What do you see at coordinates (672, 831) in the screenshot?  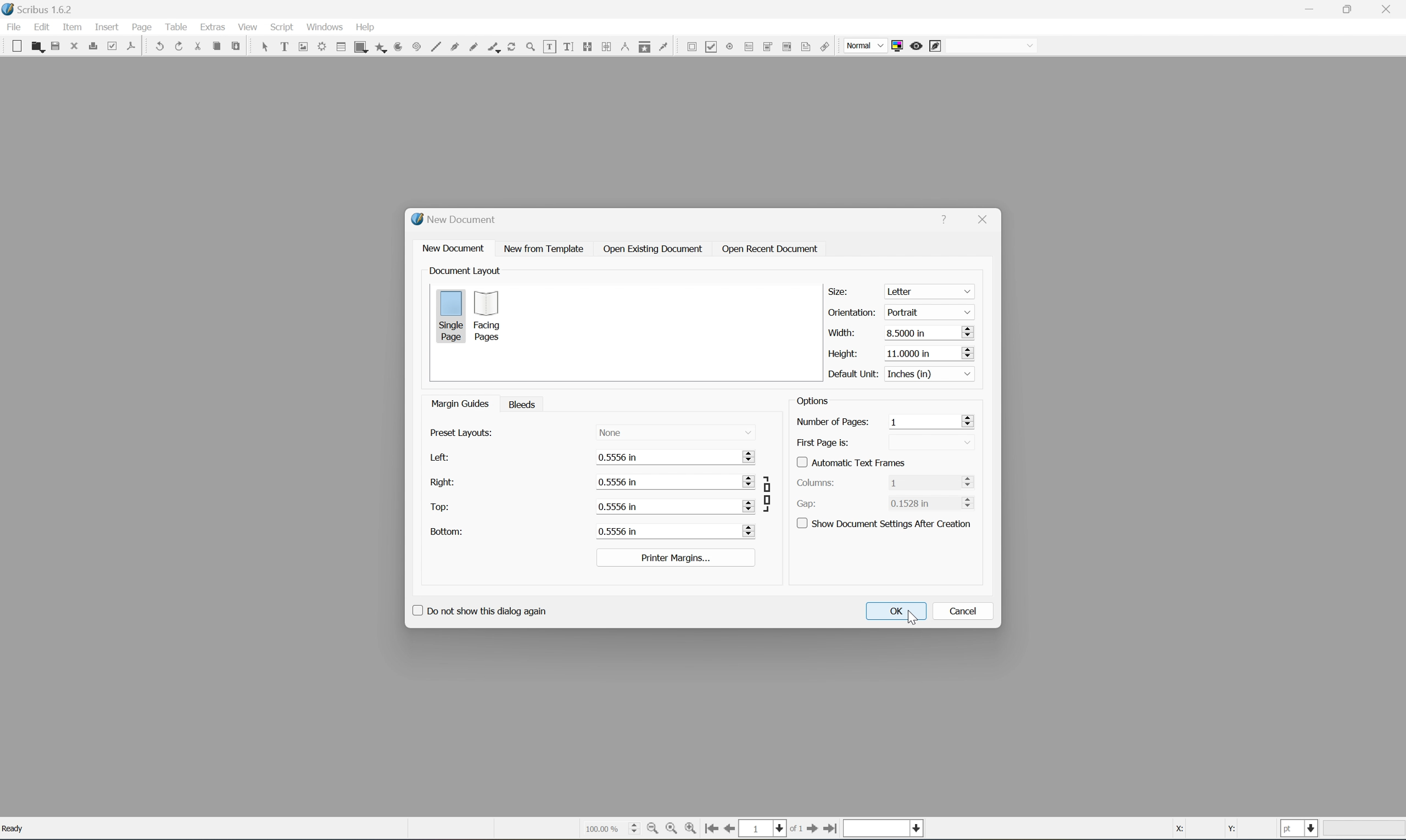 I see `zoom to 100%` at bounding box center [672, 831].